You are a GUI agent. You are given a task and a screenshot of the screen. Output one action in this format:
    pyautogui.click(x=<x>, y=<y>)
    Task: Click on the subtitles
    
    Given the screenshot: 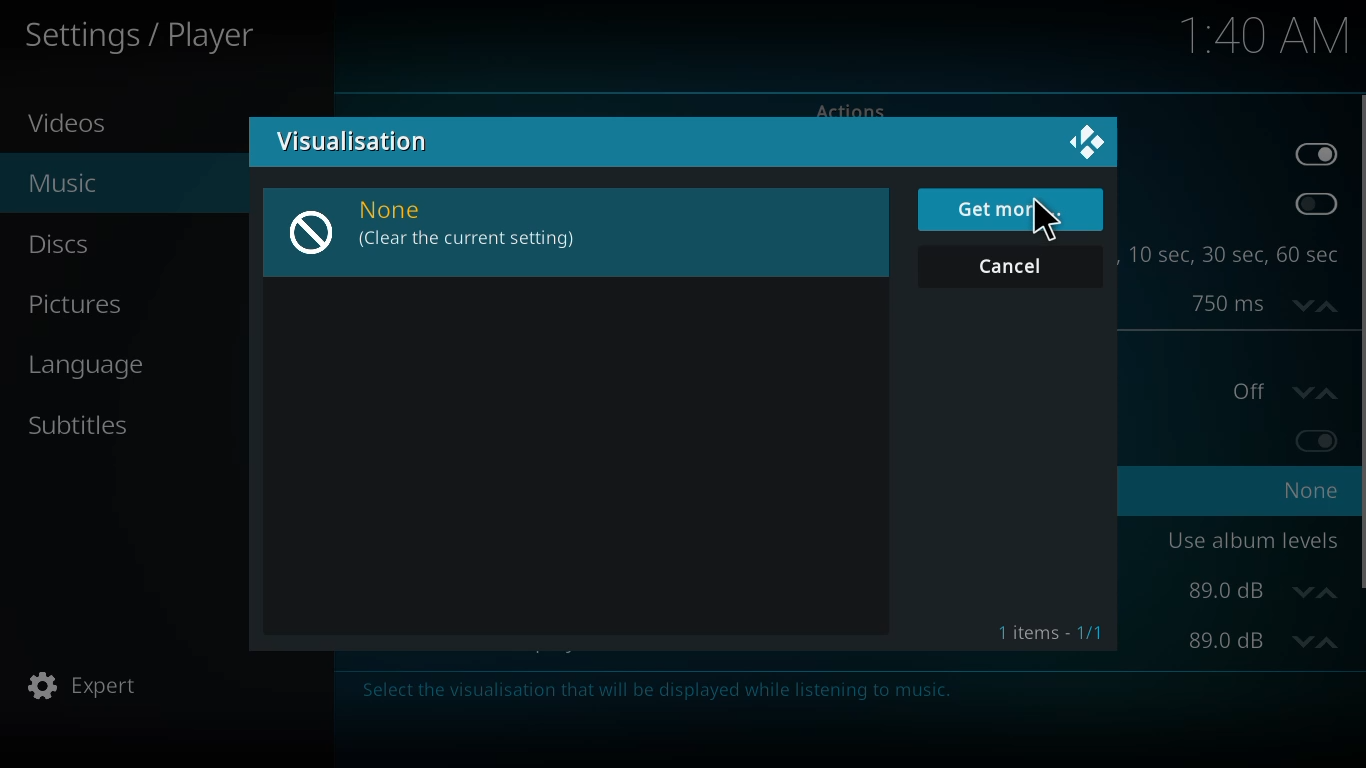 What is the action you would take?
    pyautogui.click(x=78, y=423)
    